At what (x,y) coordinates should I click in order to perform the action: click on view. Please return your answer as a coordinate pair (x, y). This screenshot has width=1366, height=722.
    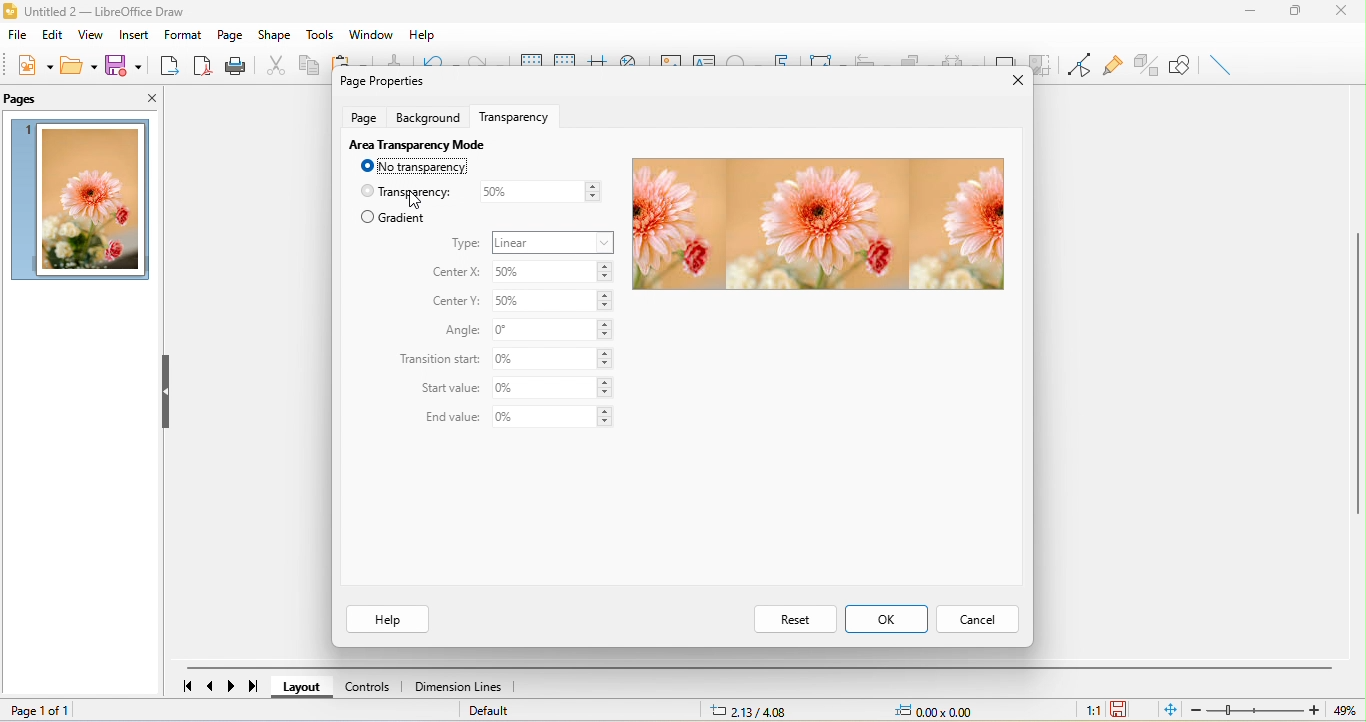
    Looking at the image, I should click on (94, 34).